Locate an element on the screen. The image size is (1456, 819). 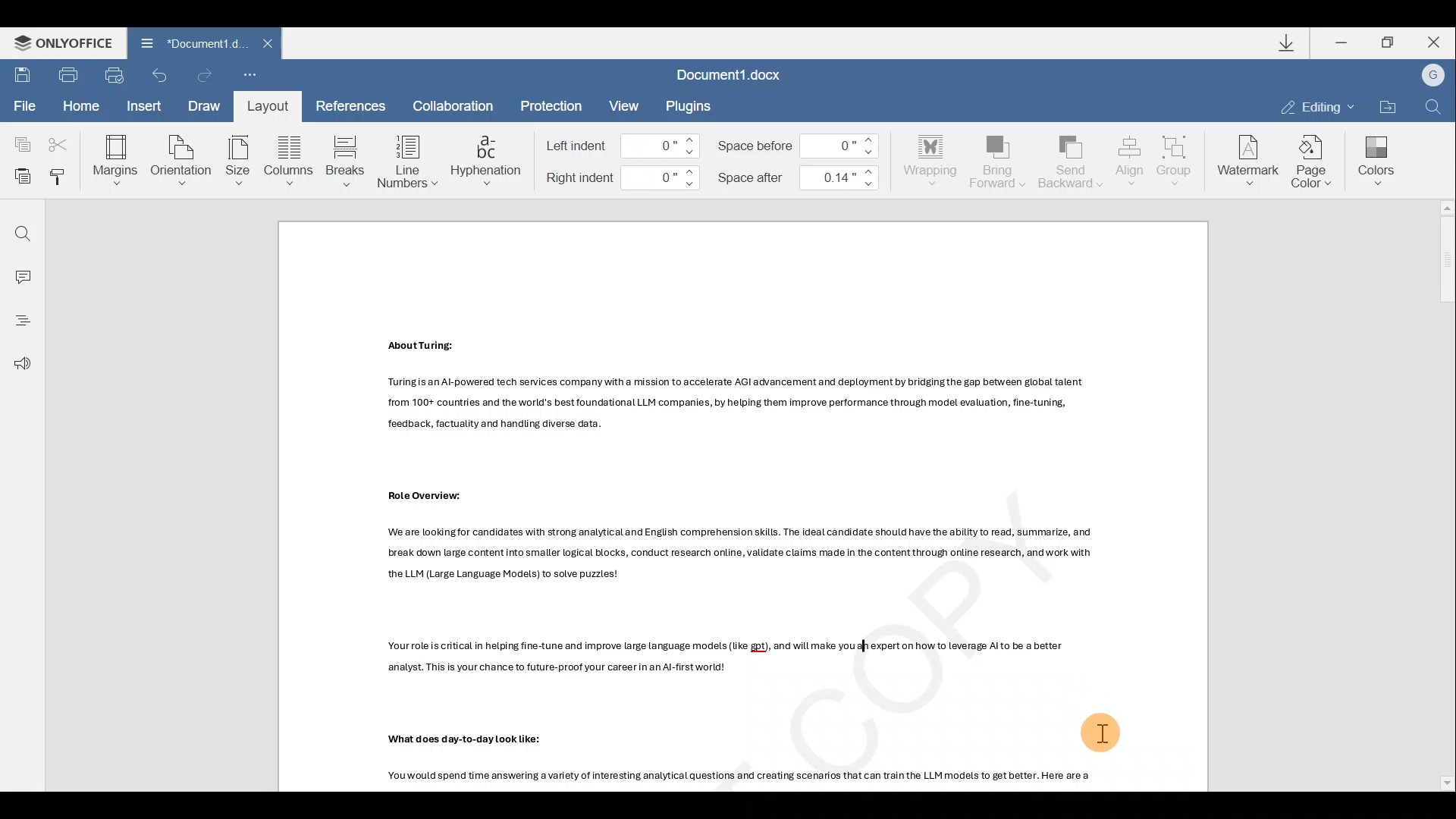
Undo is located at coordinates (162, 75).